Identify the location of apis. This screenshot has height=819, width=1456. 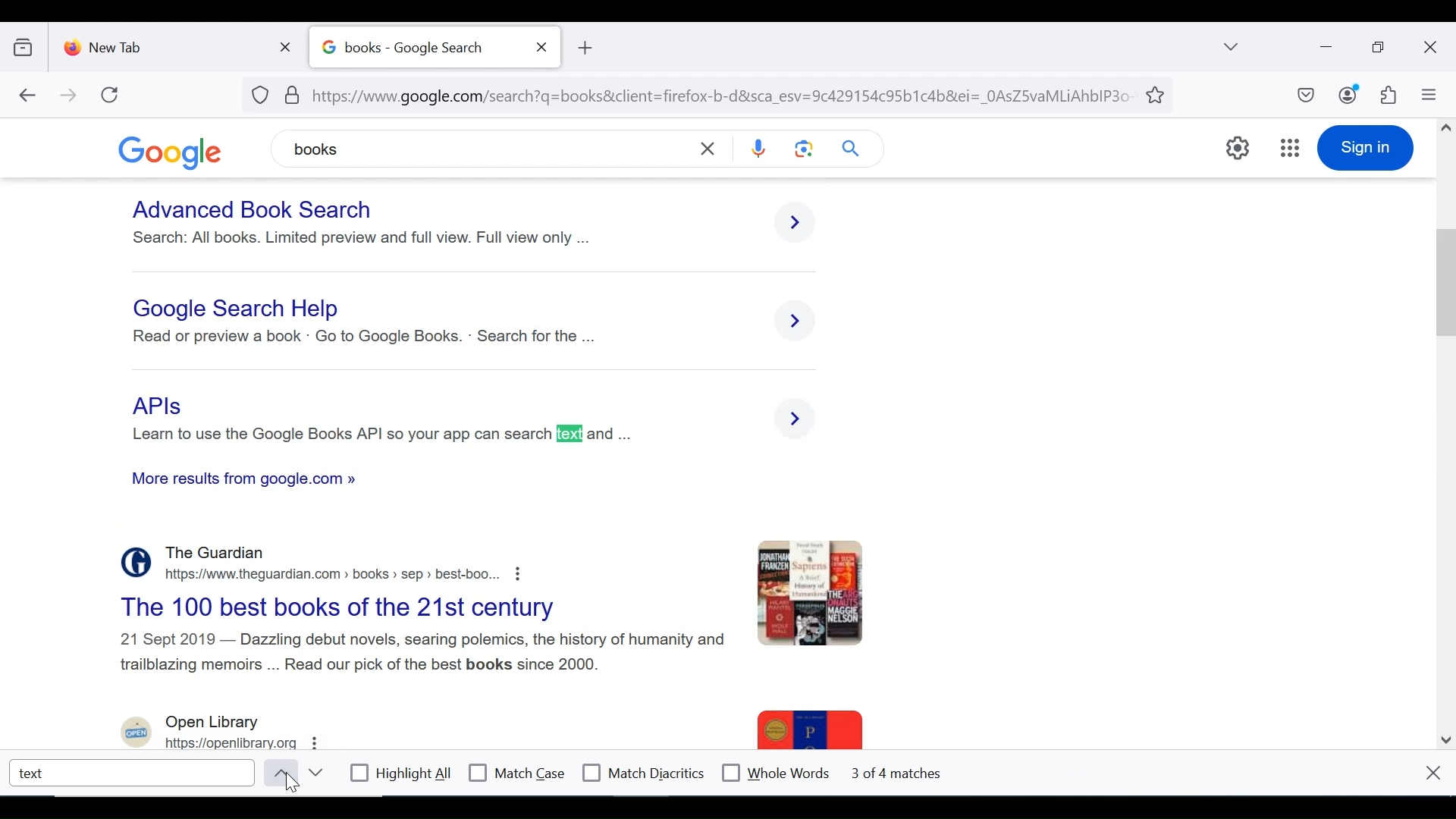
(162, 406).